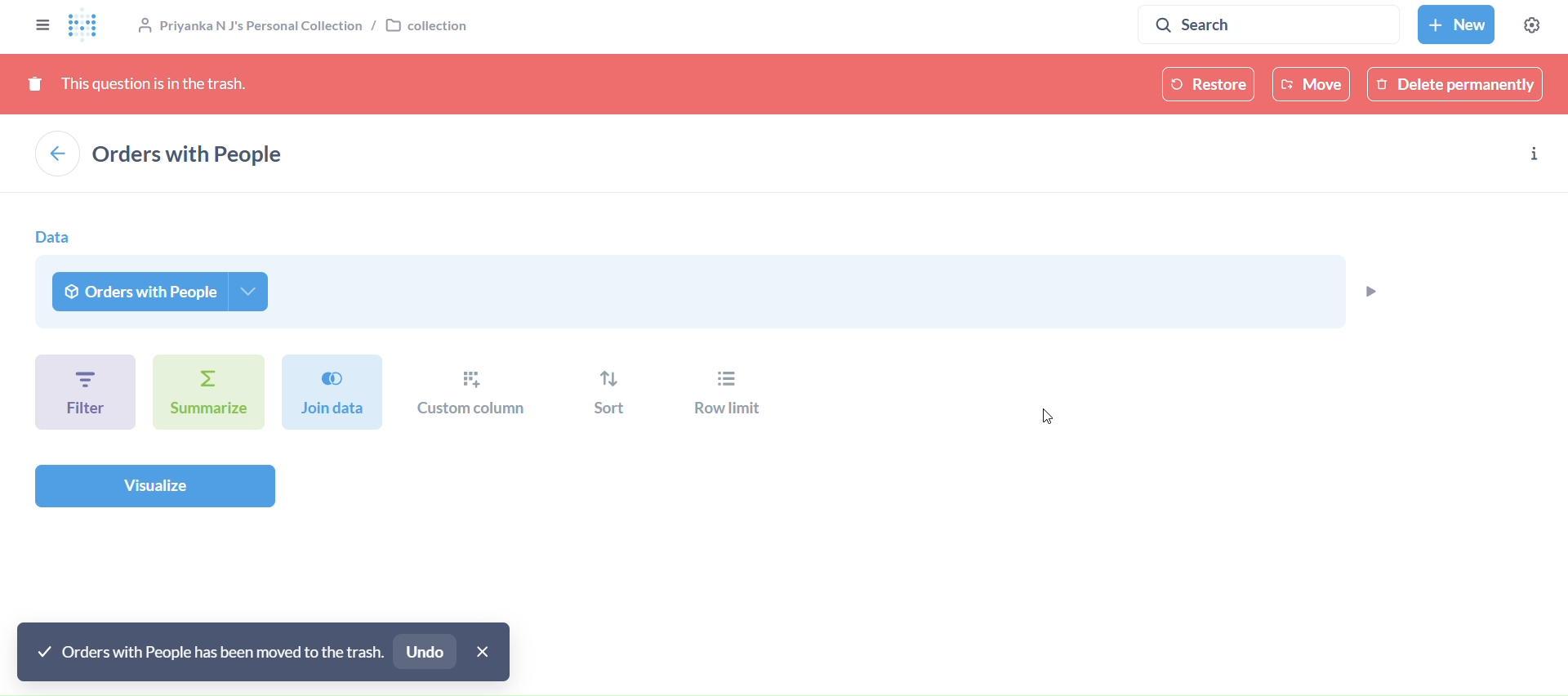  What do you see at coordinates (480, 395) in the screenshot?
I see `custom column` at bounding box center [480, 395].